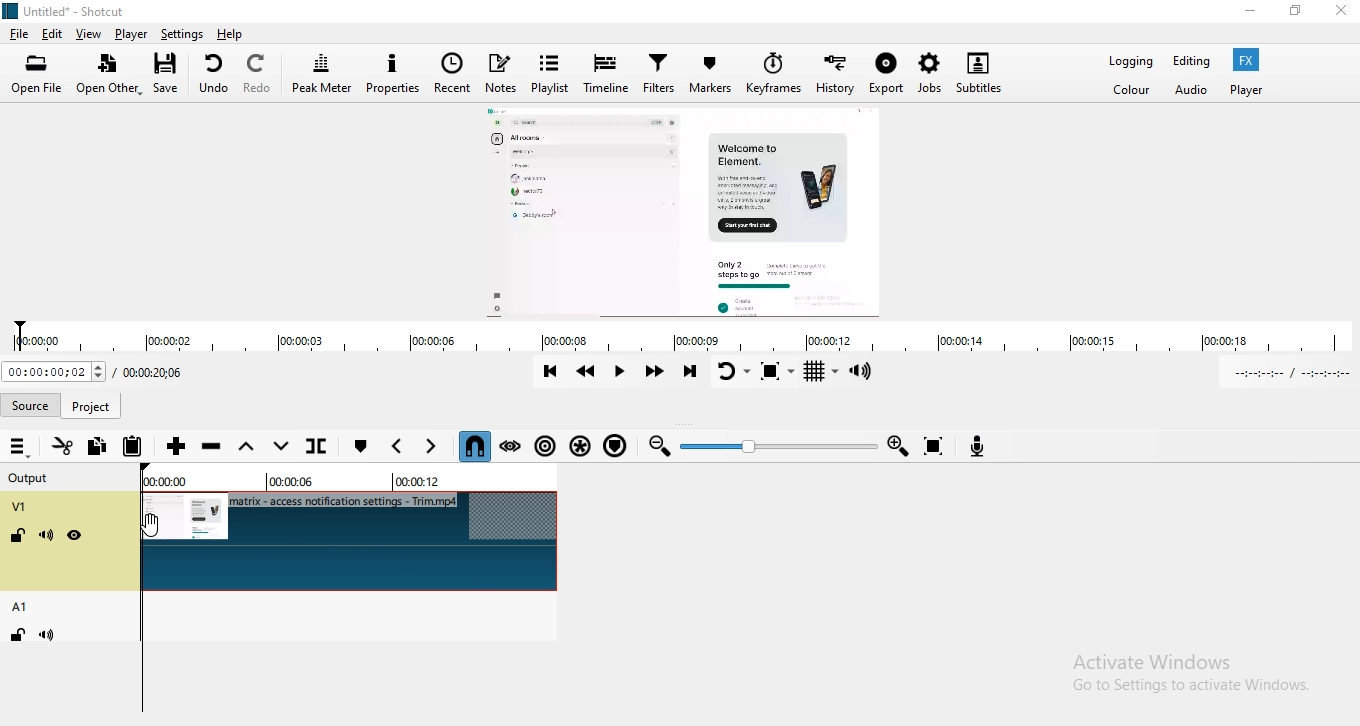 The height and width of the screenshot is (726, 1360). What do you see at coordinates (396, 74) in the screenshot?
I see `Properties` at bounding box center [396, 74].